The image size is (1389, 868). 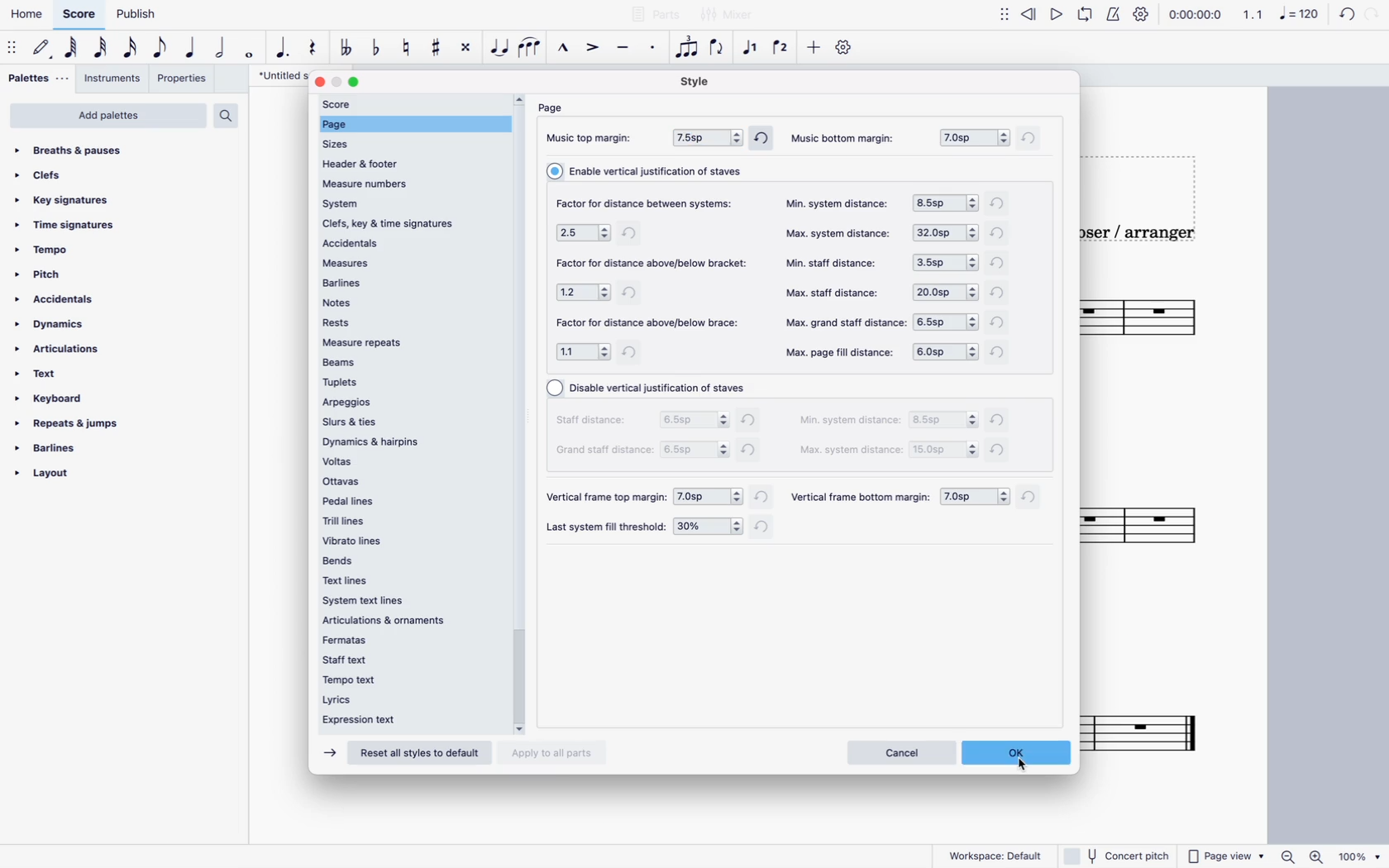 I want to click on refresh, so click(x=751, y=422).